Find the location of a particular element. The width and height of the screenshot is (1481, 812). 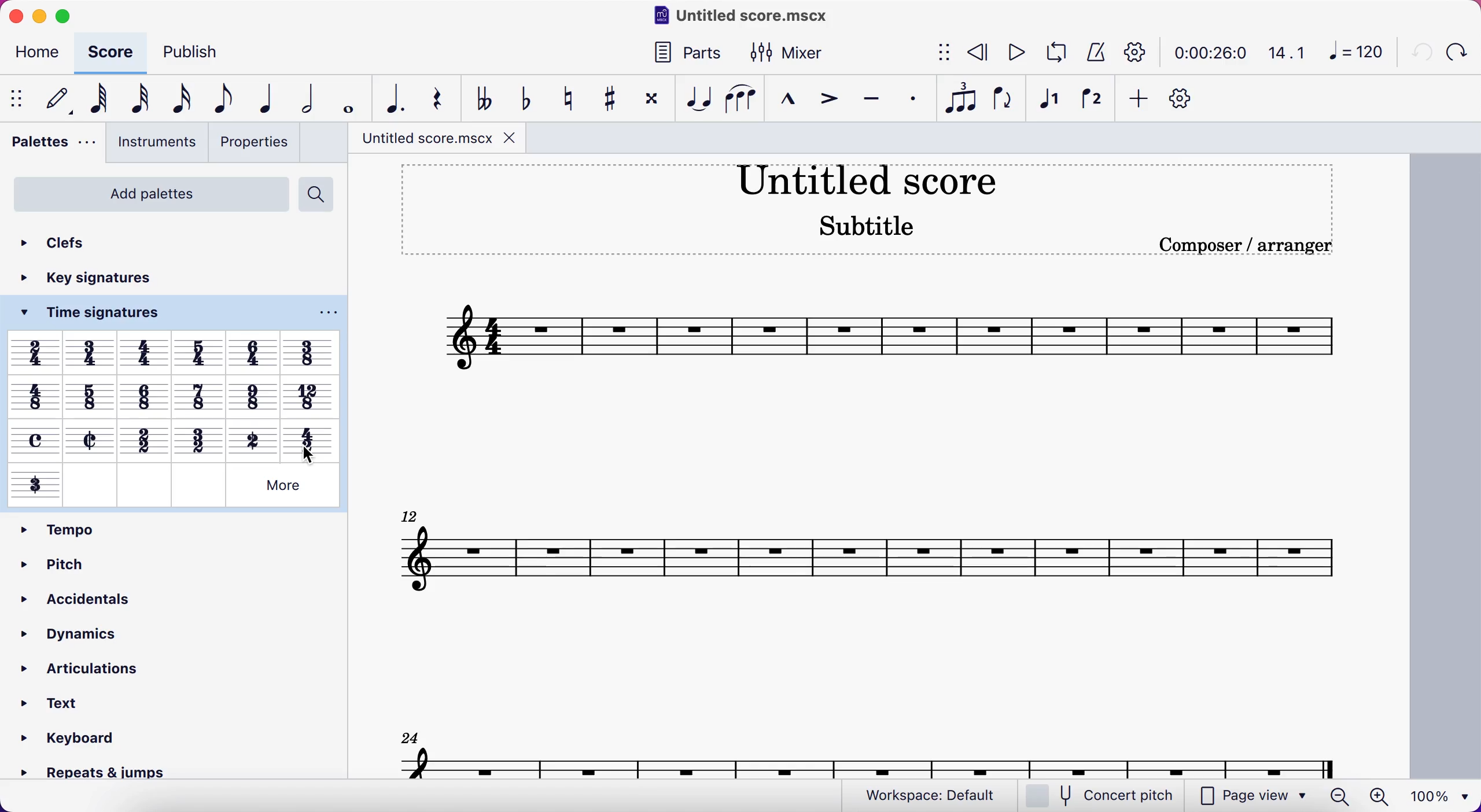

concert pitch is located at coordinates (1099, 795).